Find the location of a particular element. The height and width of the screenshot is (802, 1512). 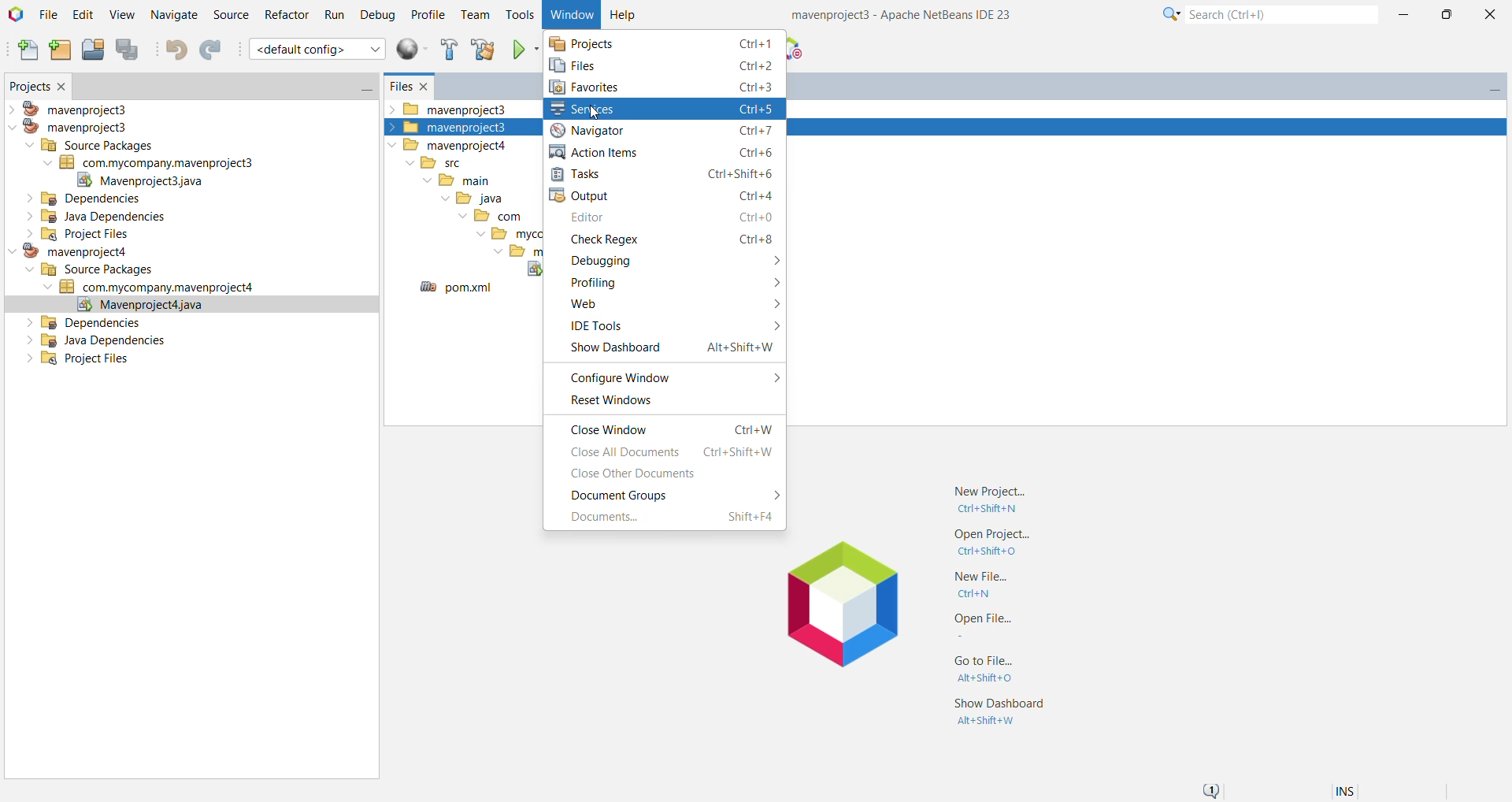

Java Dependencies is located at coordinates (100, 341).